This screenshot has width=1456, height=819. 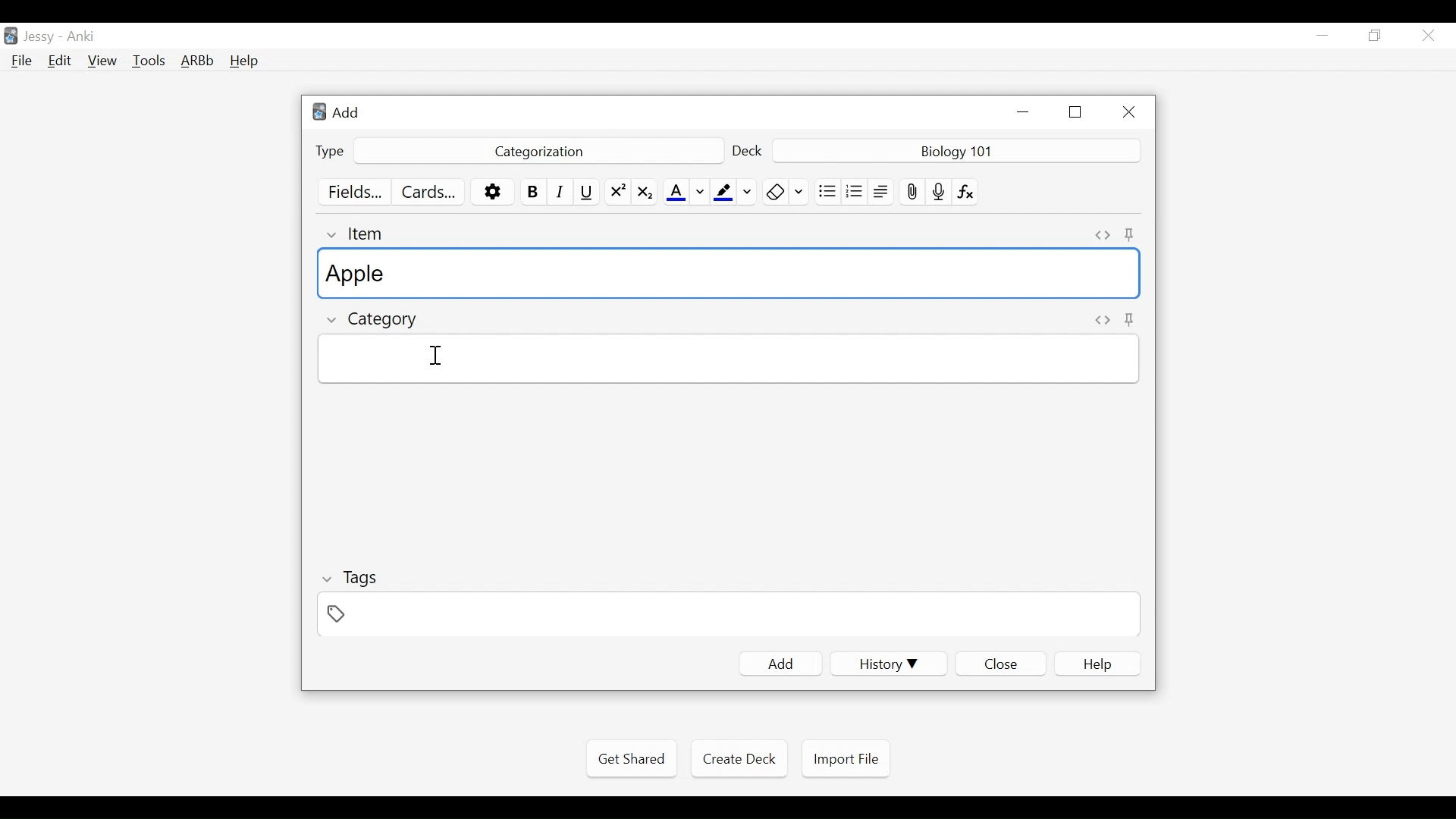 I want to click on Anki, so click(x=81, y=36).